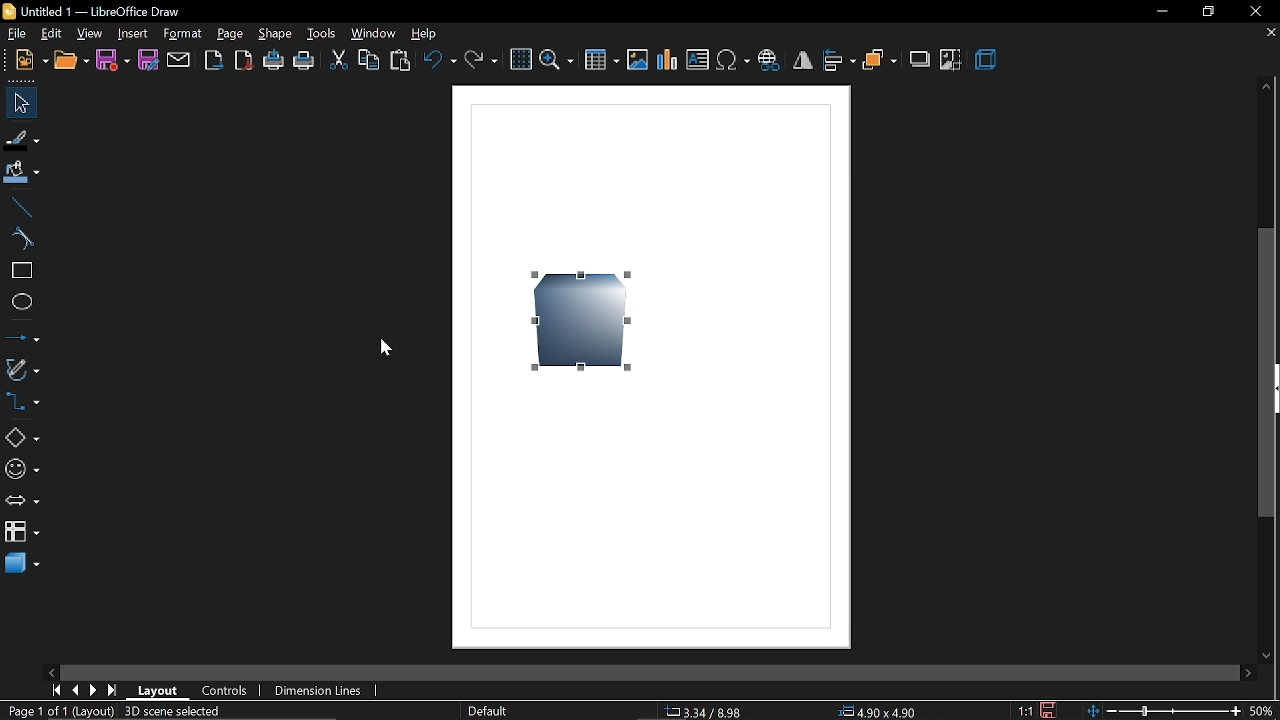 The height and width of the screenshot is (720, 1280). I want to click on grid, so click(521, 60).